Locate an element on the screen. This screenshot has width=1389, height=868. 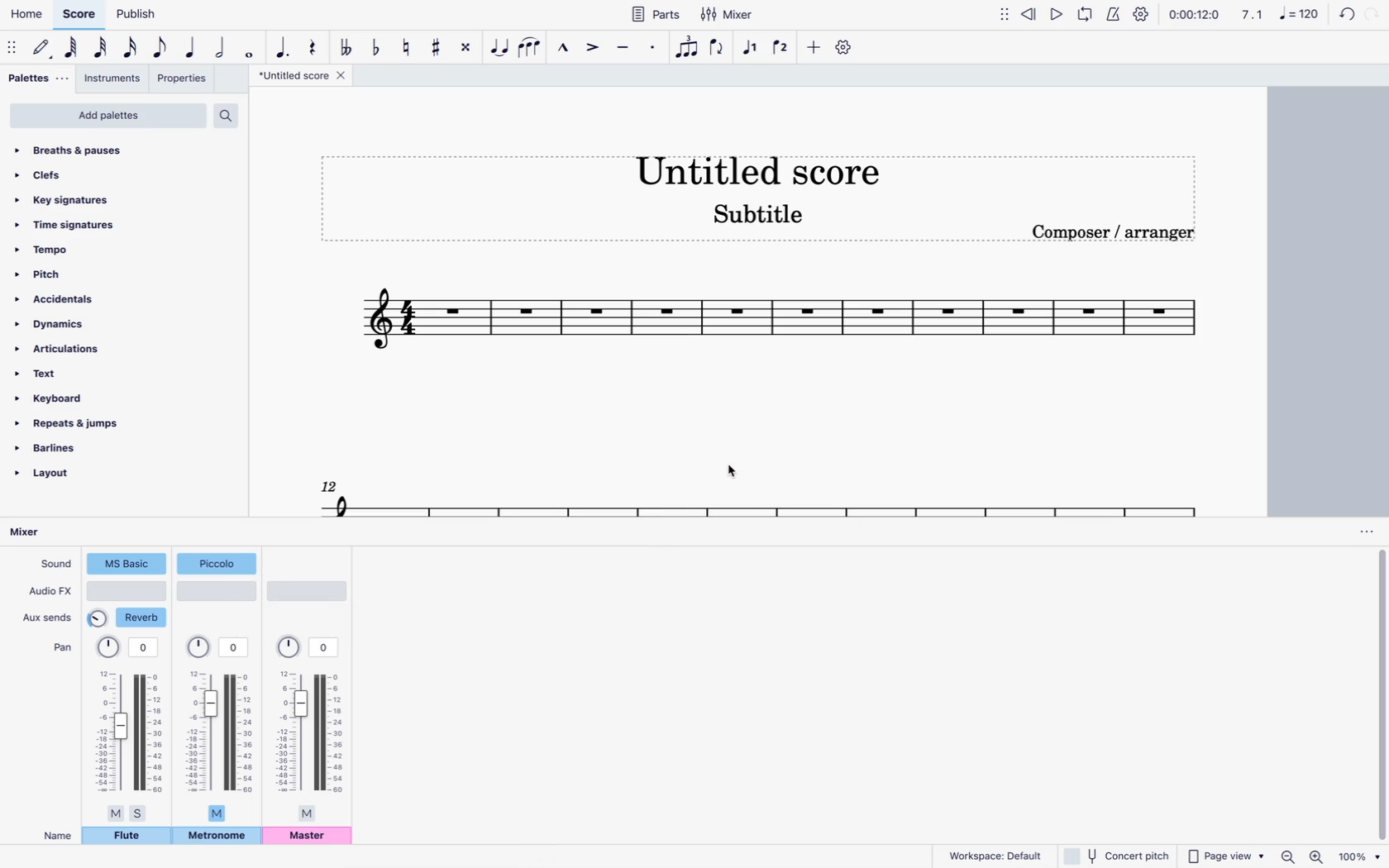
publish is located at coordinates (135, 16).